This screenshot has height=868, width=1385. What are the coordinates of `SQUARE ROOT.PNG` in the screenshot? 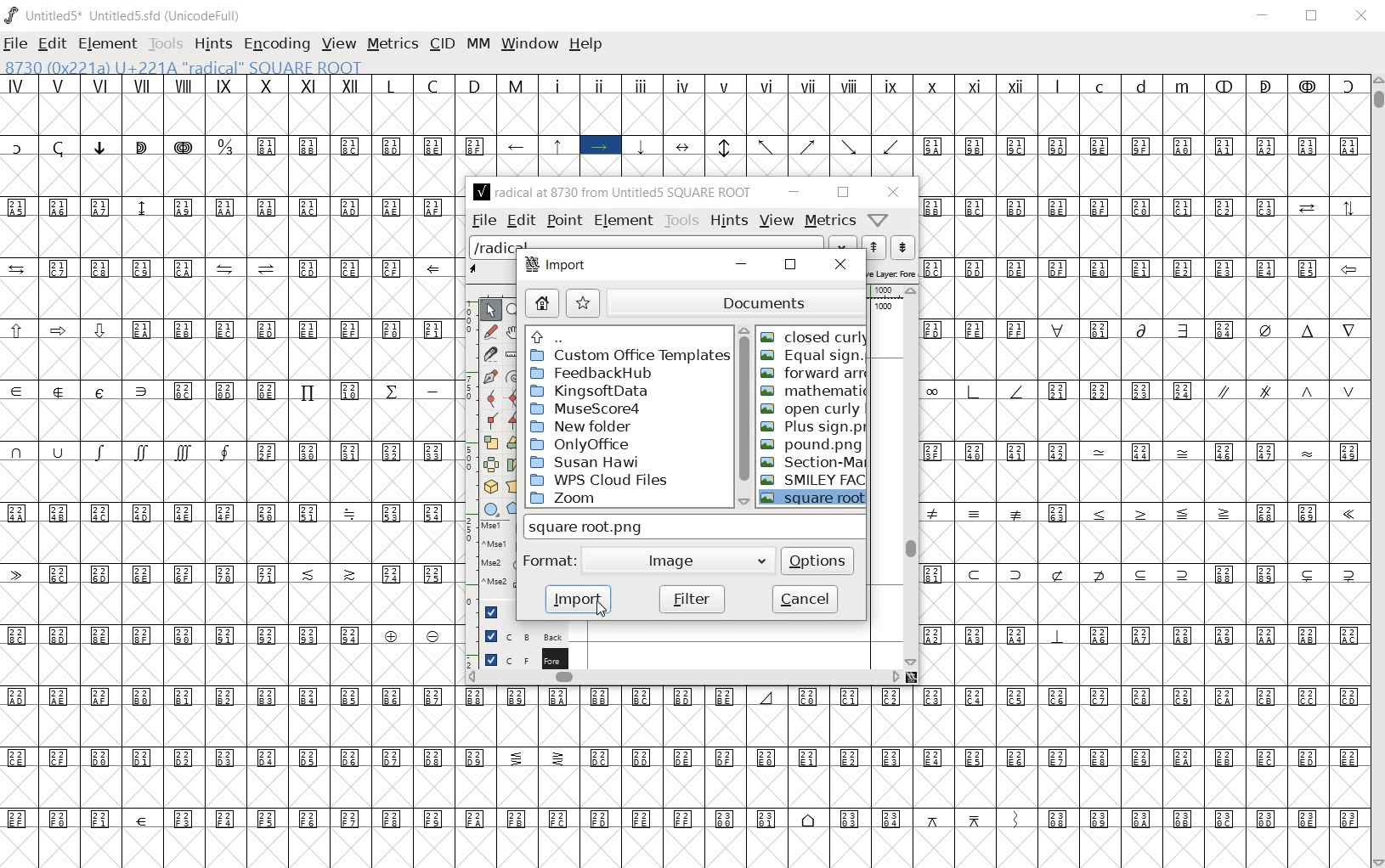 It's located at (634, 527).